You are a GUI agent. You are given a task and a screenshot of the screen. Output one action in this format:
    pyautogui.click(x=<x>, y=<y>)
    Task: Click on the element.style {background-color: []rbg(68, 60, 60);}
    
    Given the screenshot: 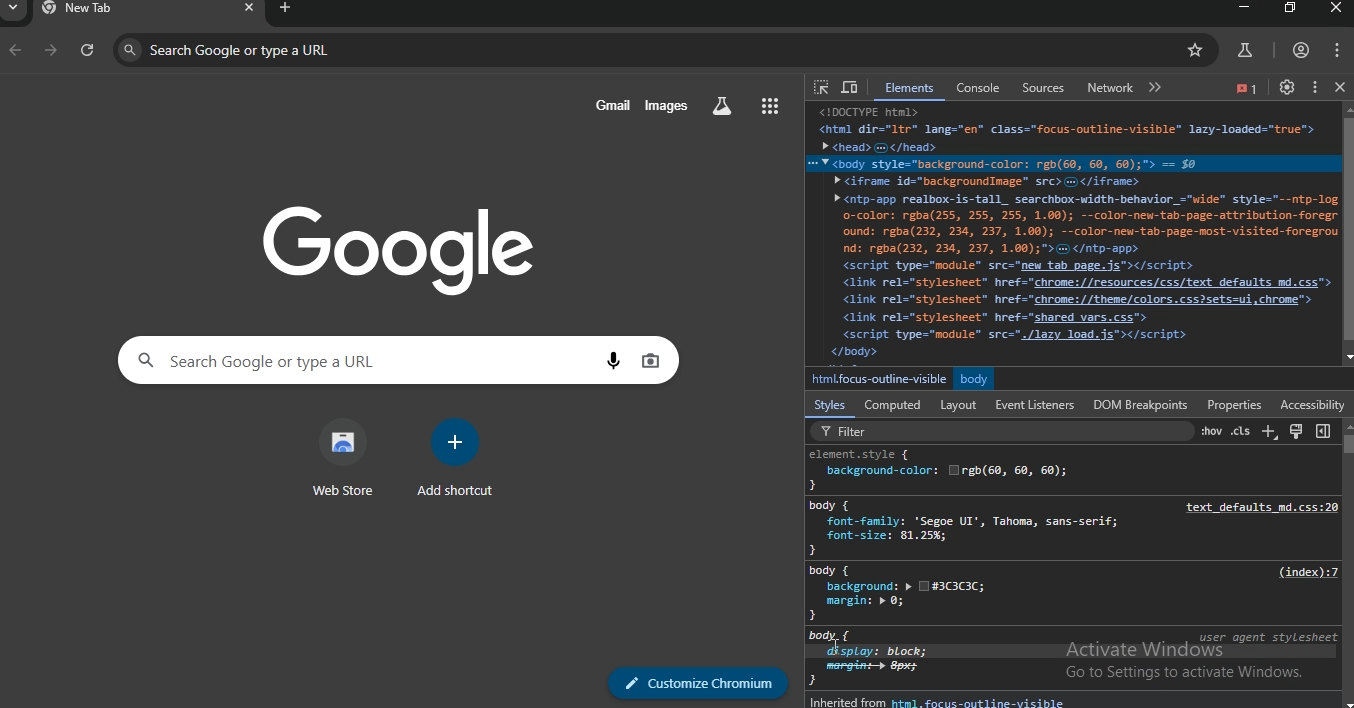 What is the action you would take?
    pyautogui.click(x=944, y=472)
    